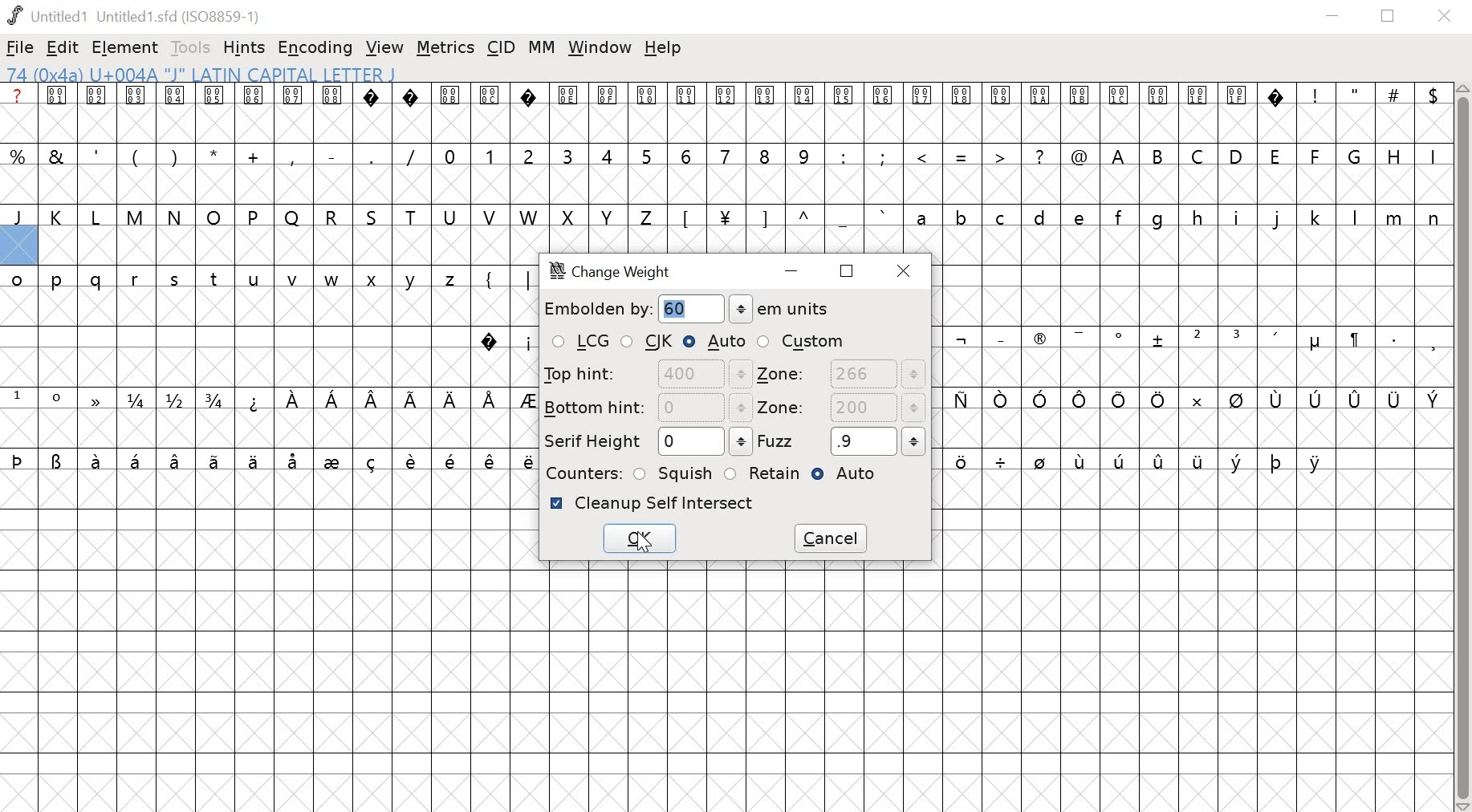 The image size is (1472, 812). Describe the element at coordinates (179, 401) in the screenshot. I see `fractions` at that location.